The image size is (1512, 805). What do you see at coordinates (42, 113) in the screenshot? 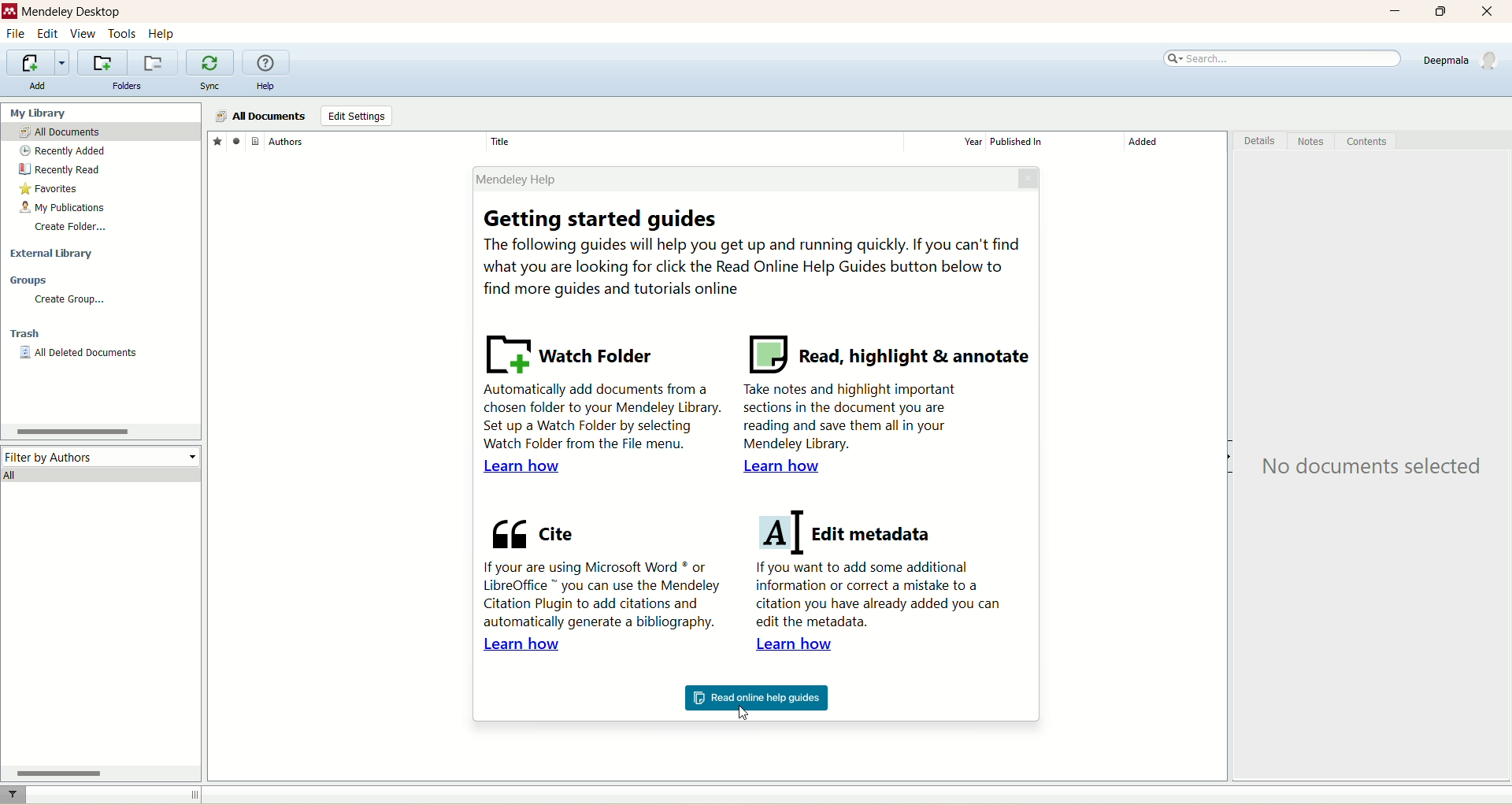
I see `my library` at bounding box center [42, 113].